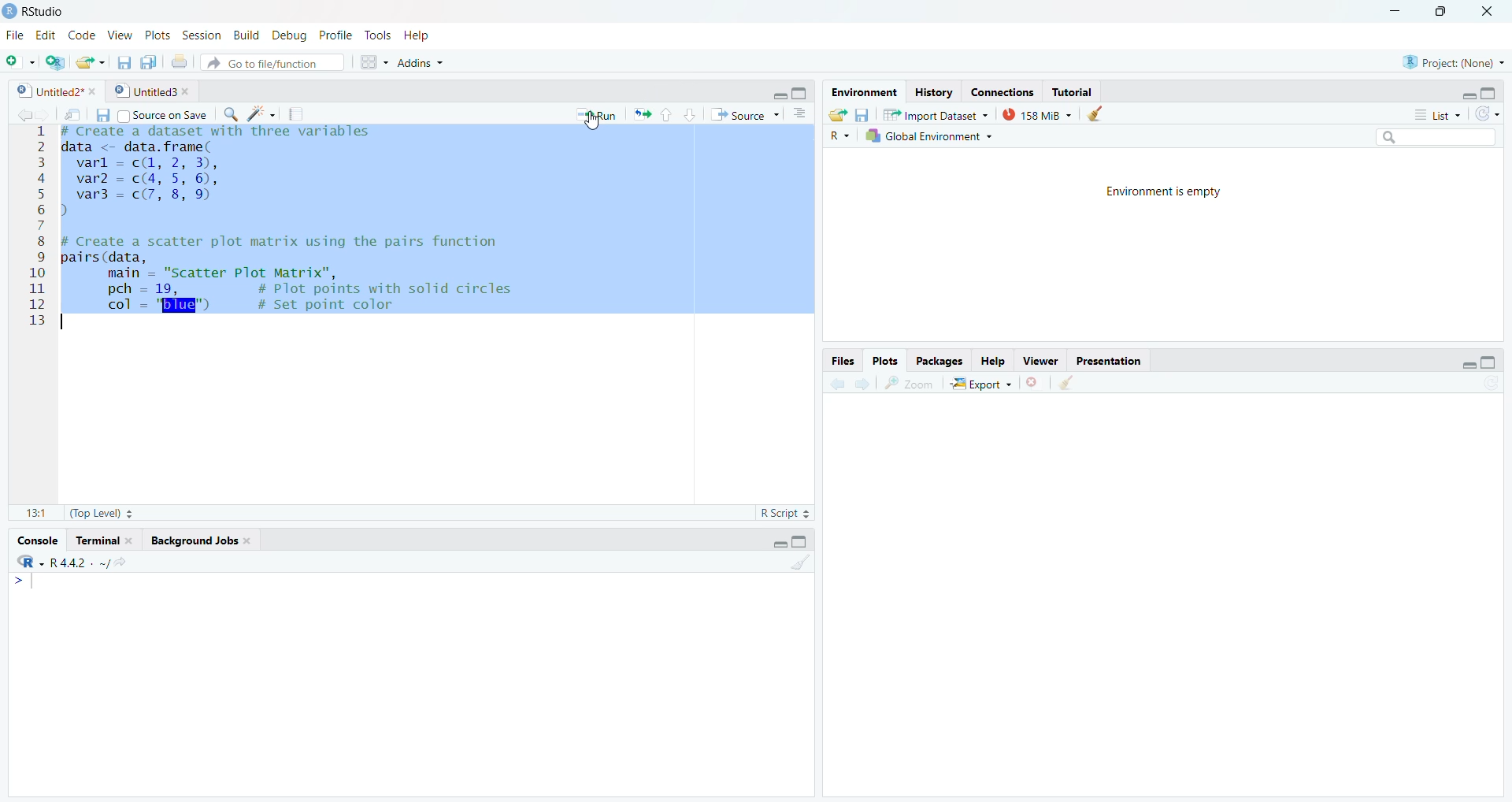 The image size is (1512, 802). What do you see at coordinates (863, 91) in the screenshot?
I see `Environment` at bounding box center [863, 91].